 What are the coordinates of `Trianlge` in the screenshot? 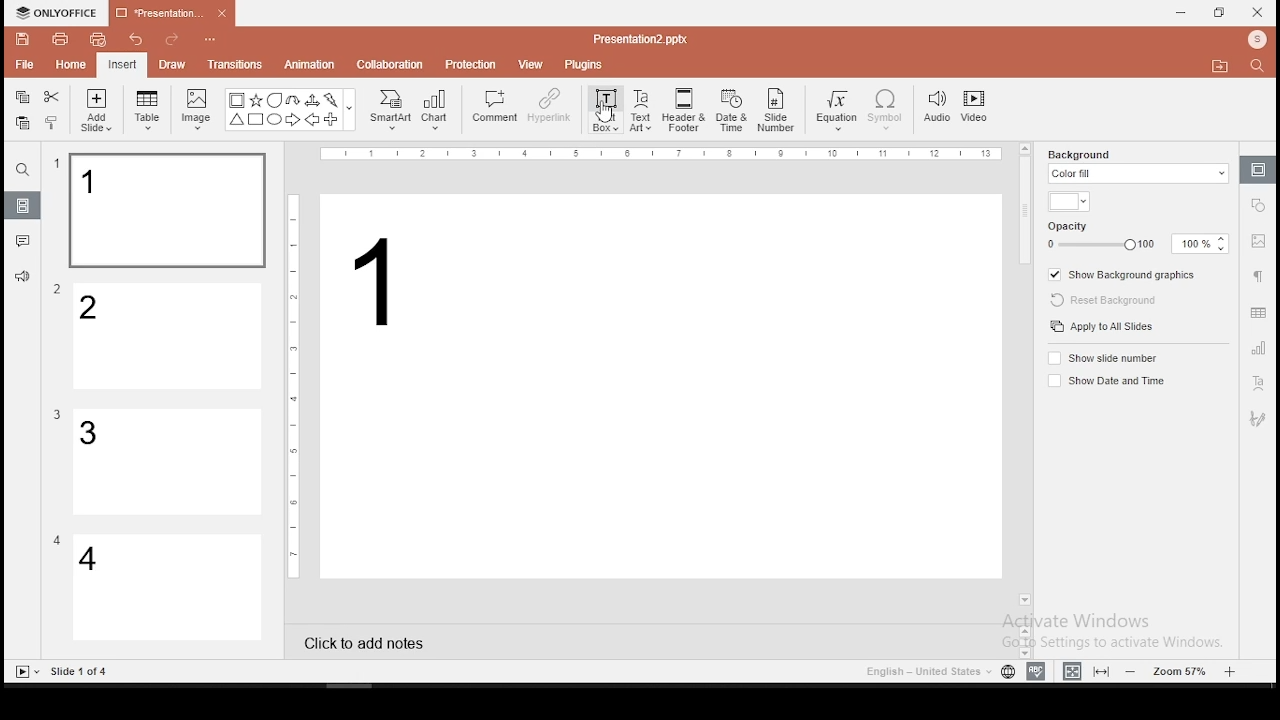 It's located at (236, 120).